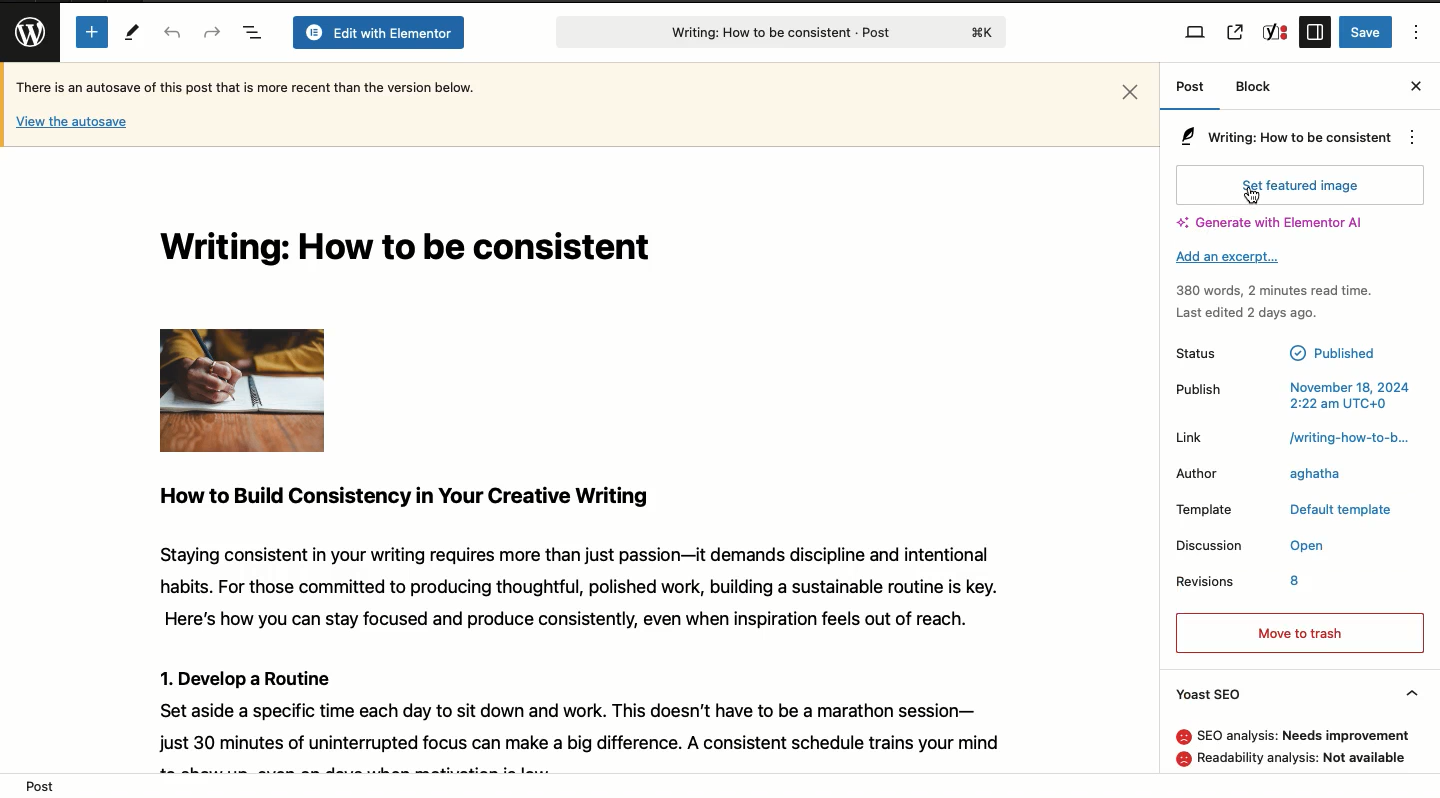  What do you see at coordinates (570, 706) in the screenshot?
I see `1. Develop a Routine
Set aside a specific time each day to sit down and work. This doesn't have to be a marathon session—
just 30 minutes of uninterrupted focus can make a big difference. A consistent schedule trains your mind` at bounding box center [570, 706].